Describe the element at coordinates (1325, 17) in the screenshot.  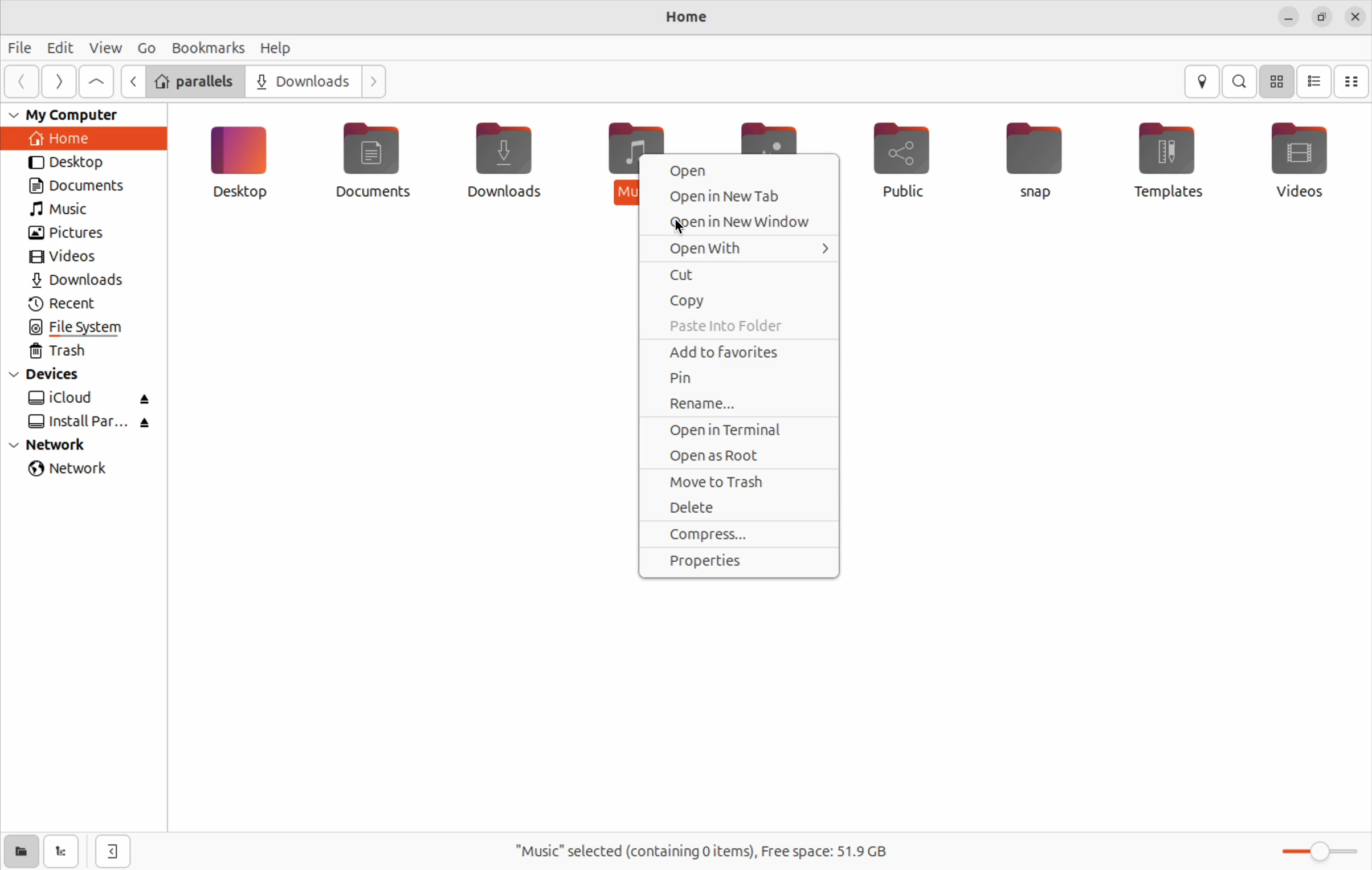
I see `resize` at that location.